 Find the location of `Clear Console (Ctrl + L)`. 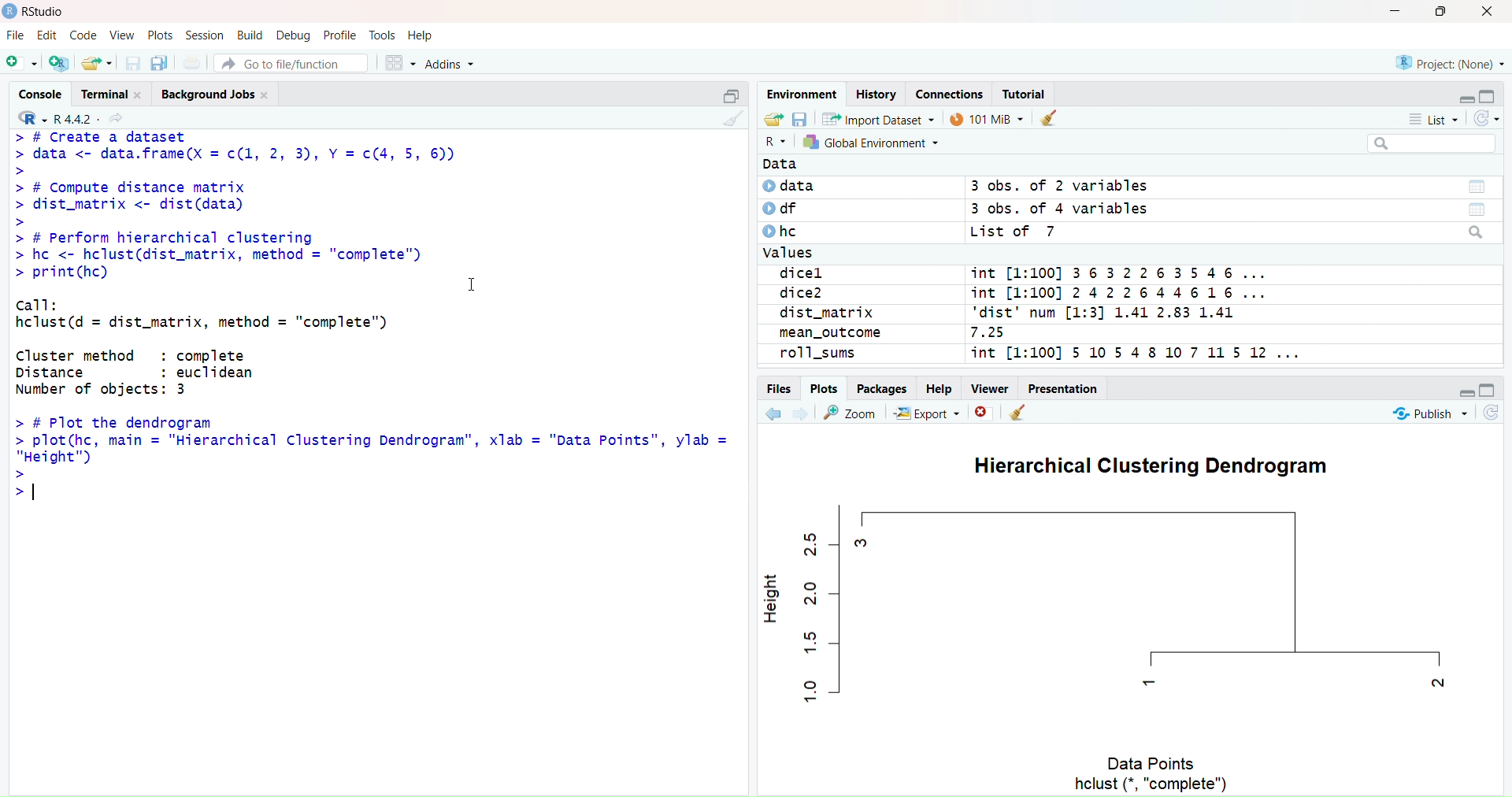

Clear Console (Ctrl + L) is located at coordinates (736, 119).